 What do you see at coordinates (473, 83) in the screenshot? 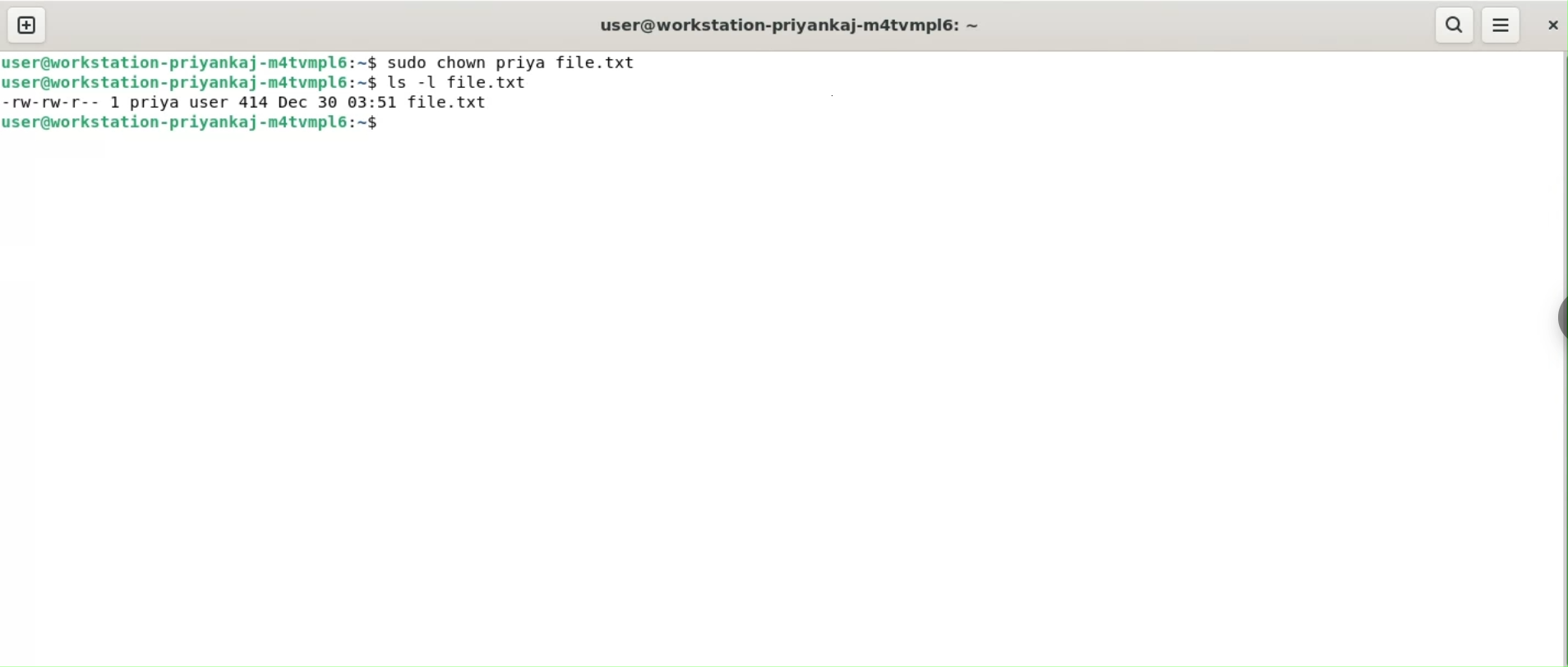
I see `ls -l file.txt` at bounding box center [473, 83].